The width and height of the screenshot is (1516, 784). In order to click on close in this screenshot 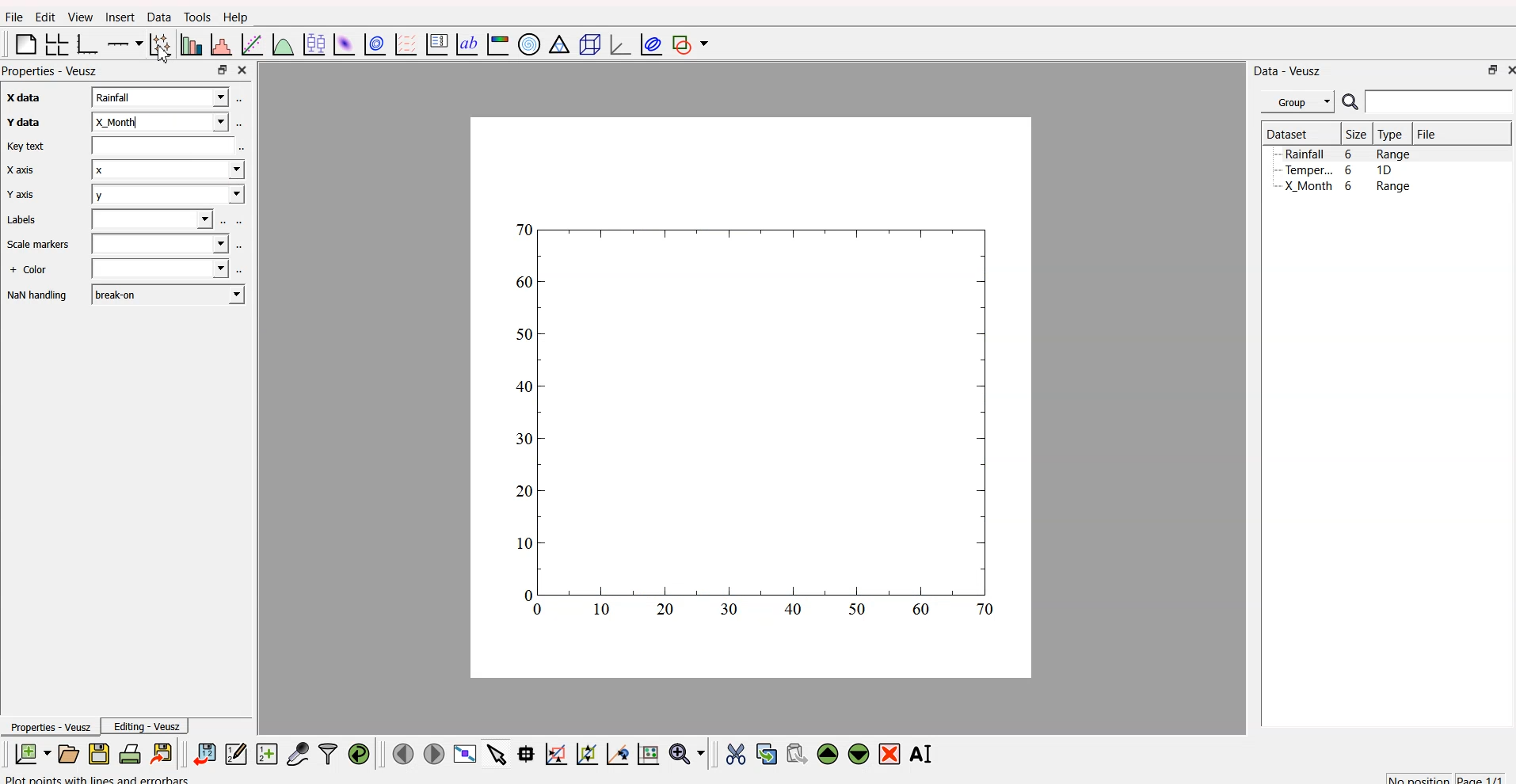, I will do `click(245, 70)`.